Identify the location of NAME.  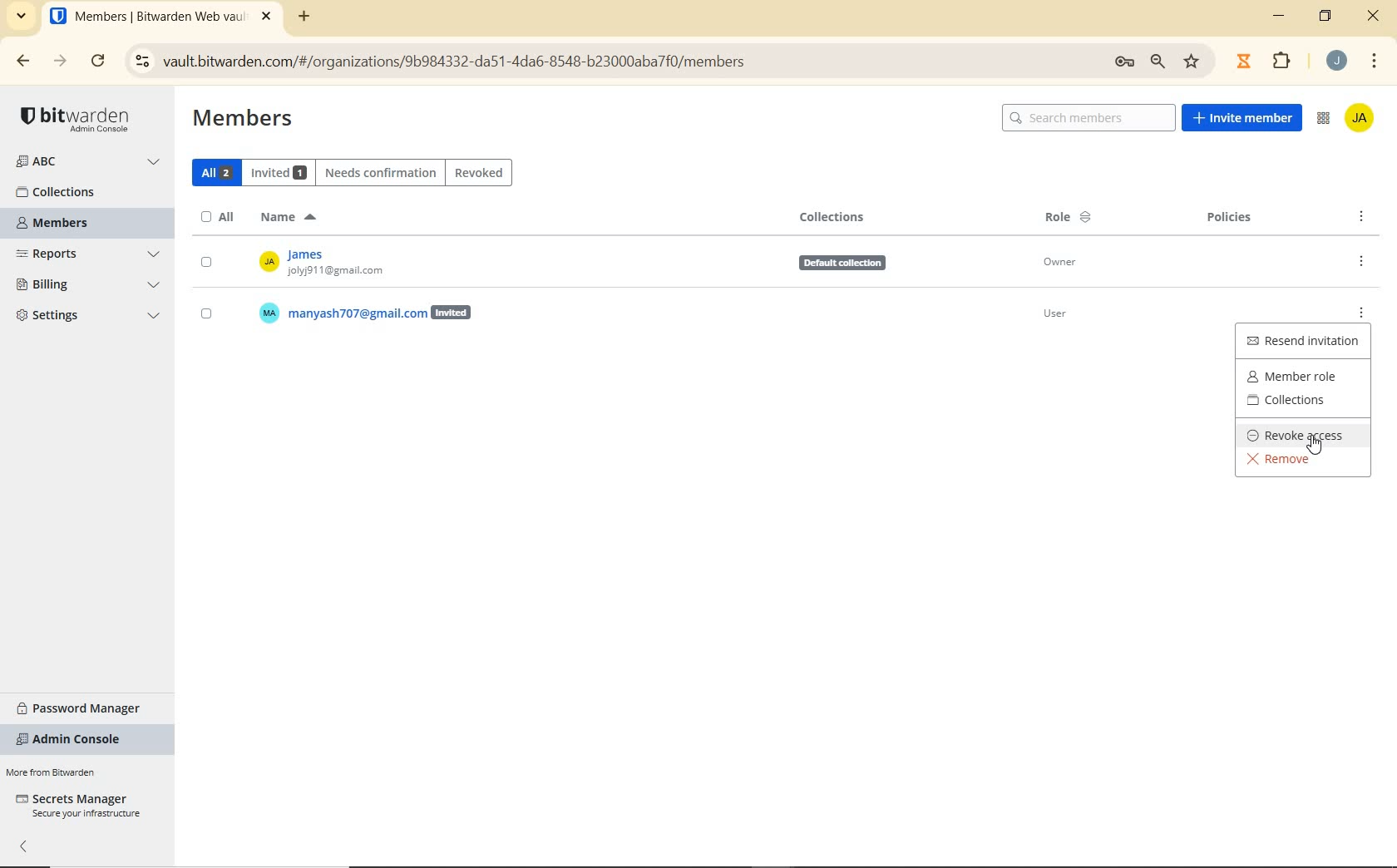
(287, 218).